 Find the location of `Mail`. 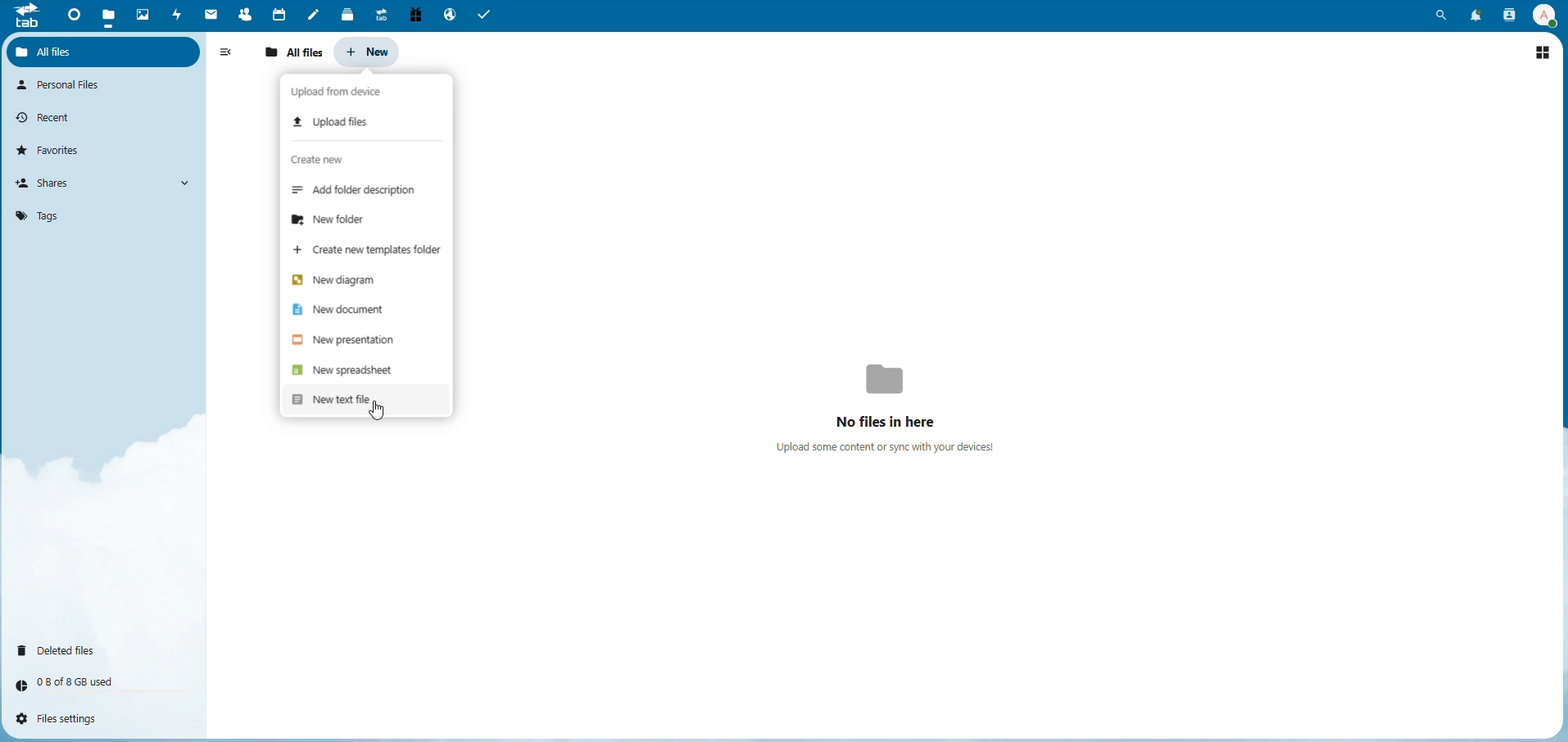

Mail is located at coordinates (211, 16).